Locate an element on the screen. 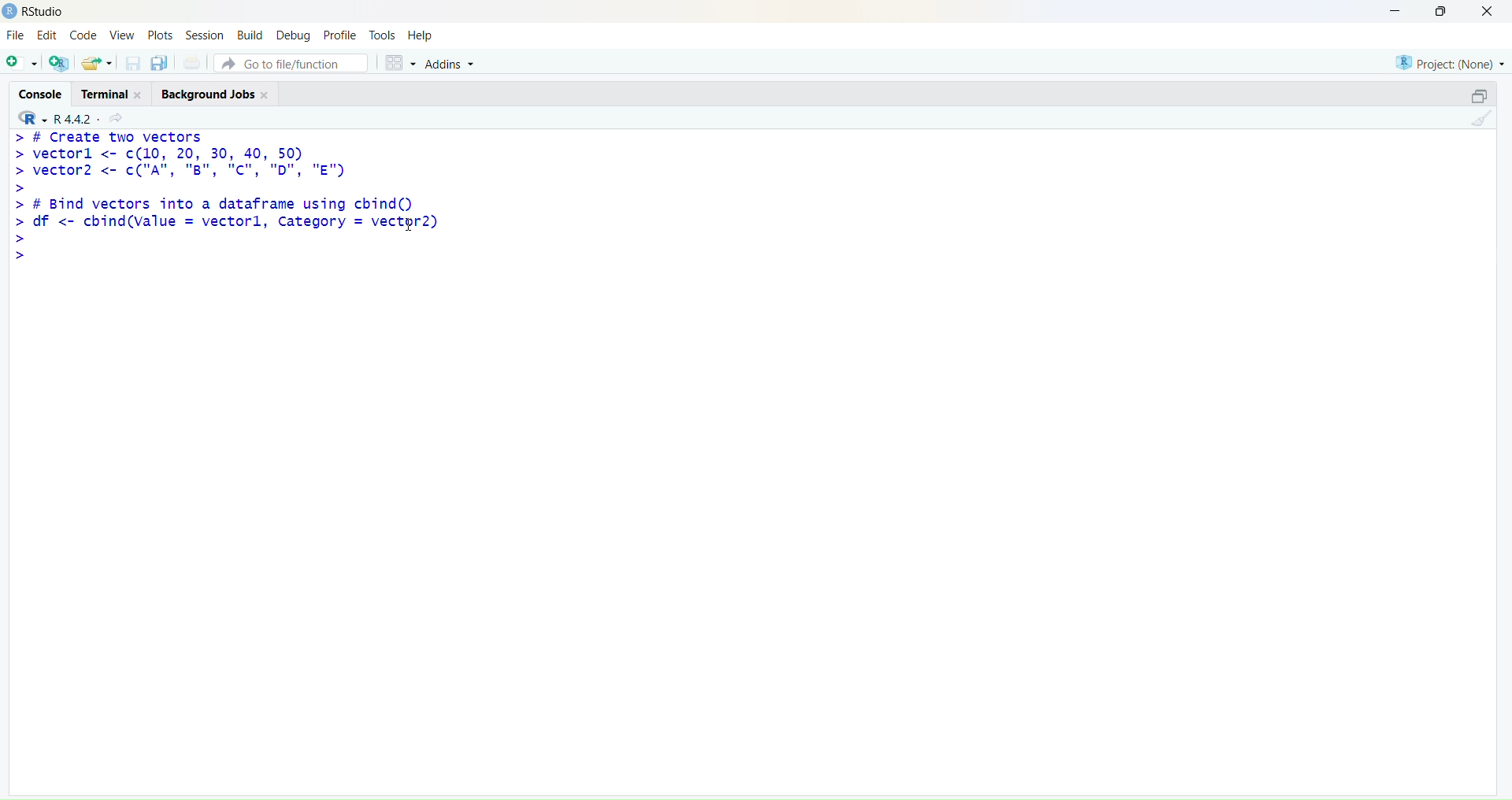  save open document is located at coordinates (132, 65).